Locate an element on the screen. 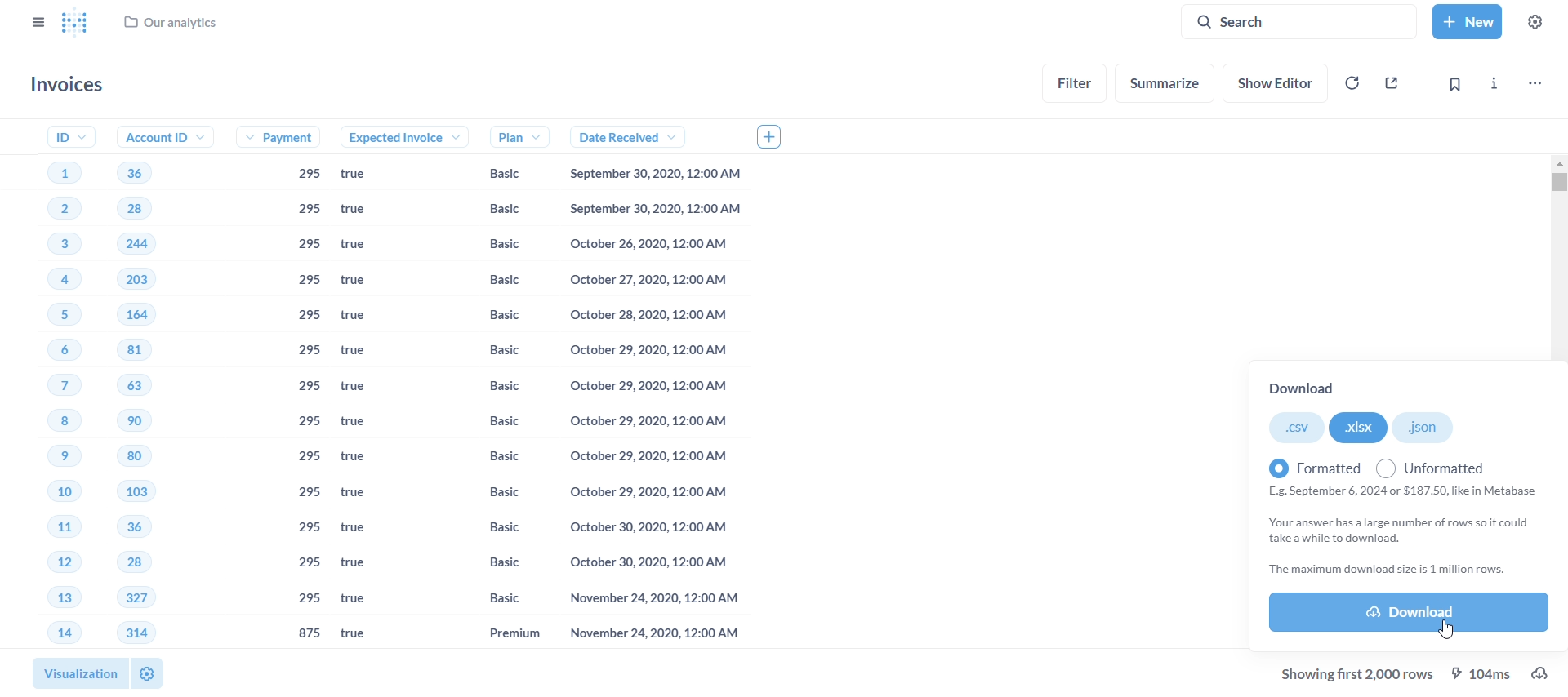 The image size is (1568, 697). our analytics is located at coordinates (171, 26).